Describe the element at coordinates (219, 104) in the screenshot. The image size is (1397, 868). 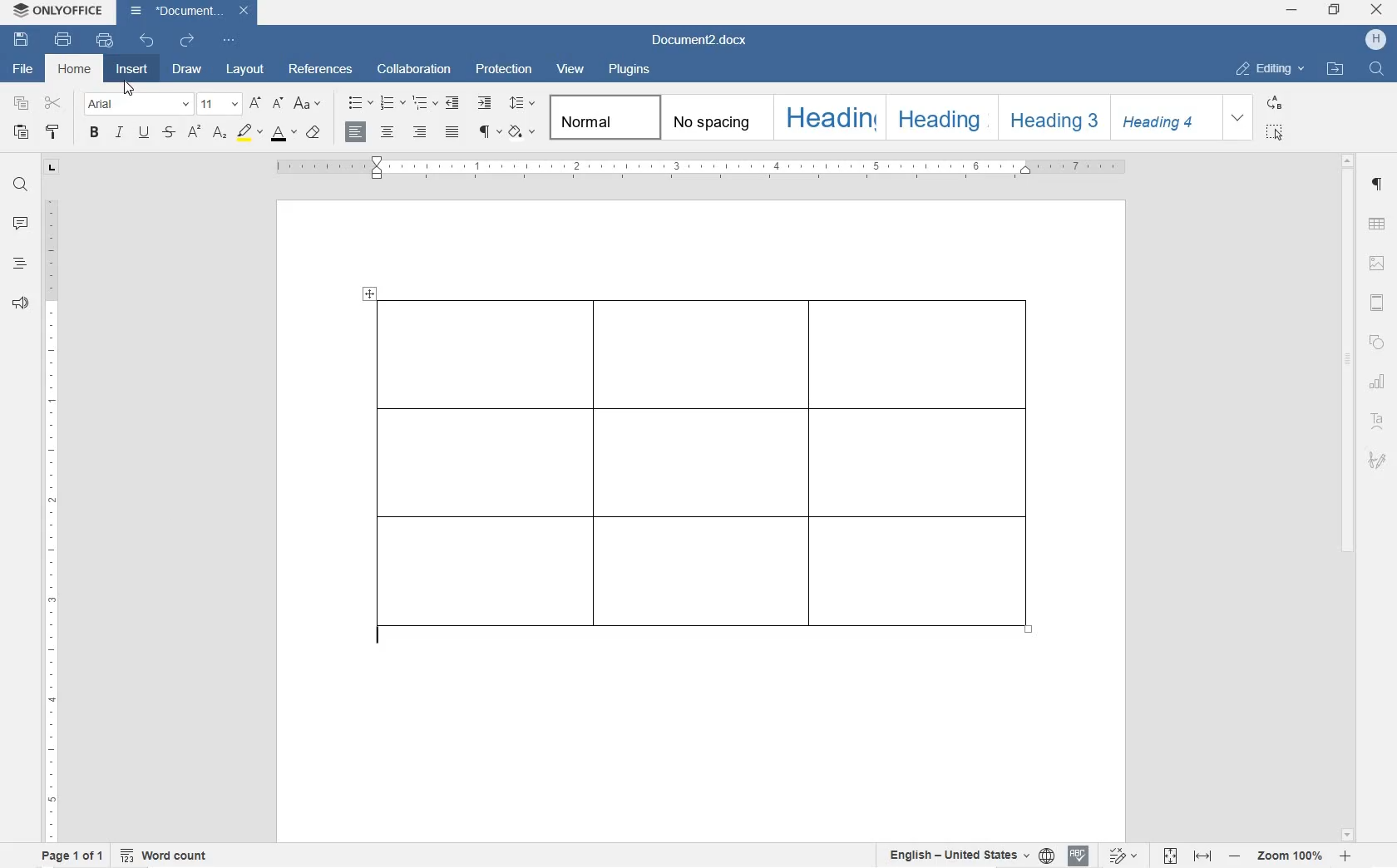
I see `font size` at that location.